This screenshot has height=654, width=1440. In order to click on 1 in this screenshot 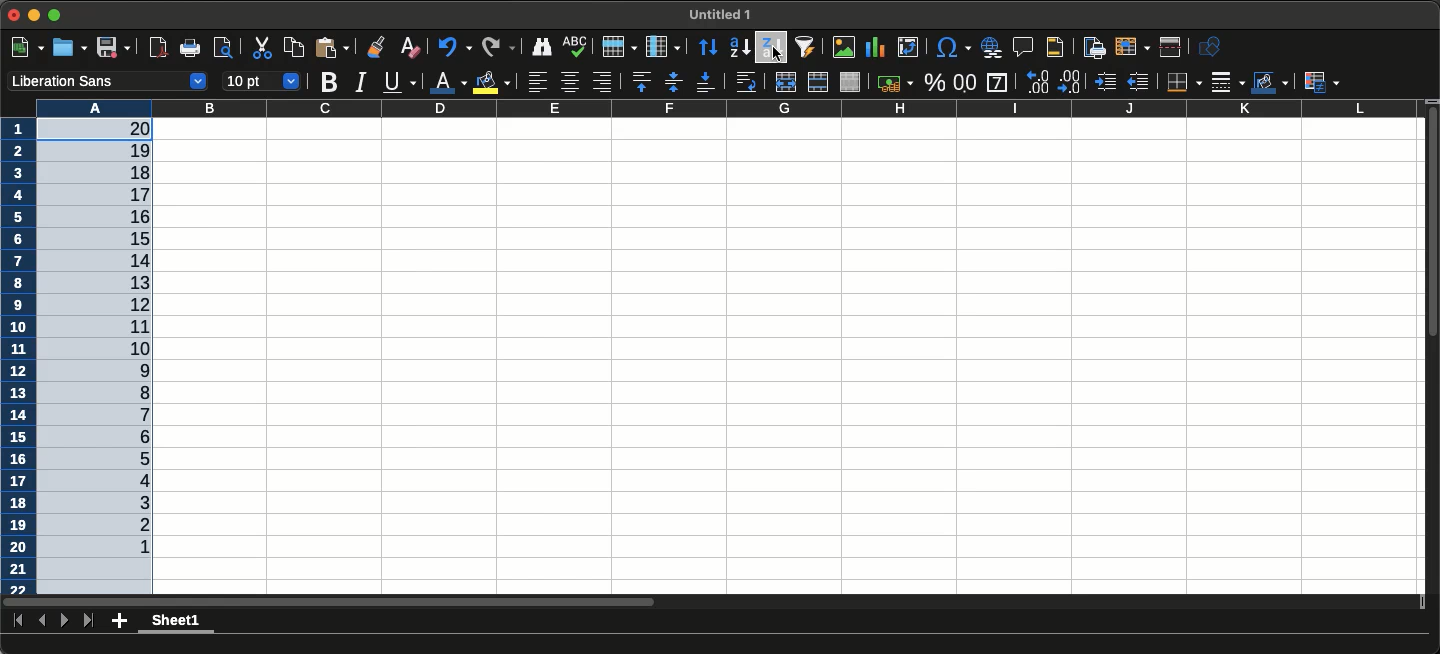, I will do `click(132, 130)`.